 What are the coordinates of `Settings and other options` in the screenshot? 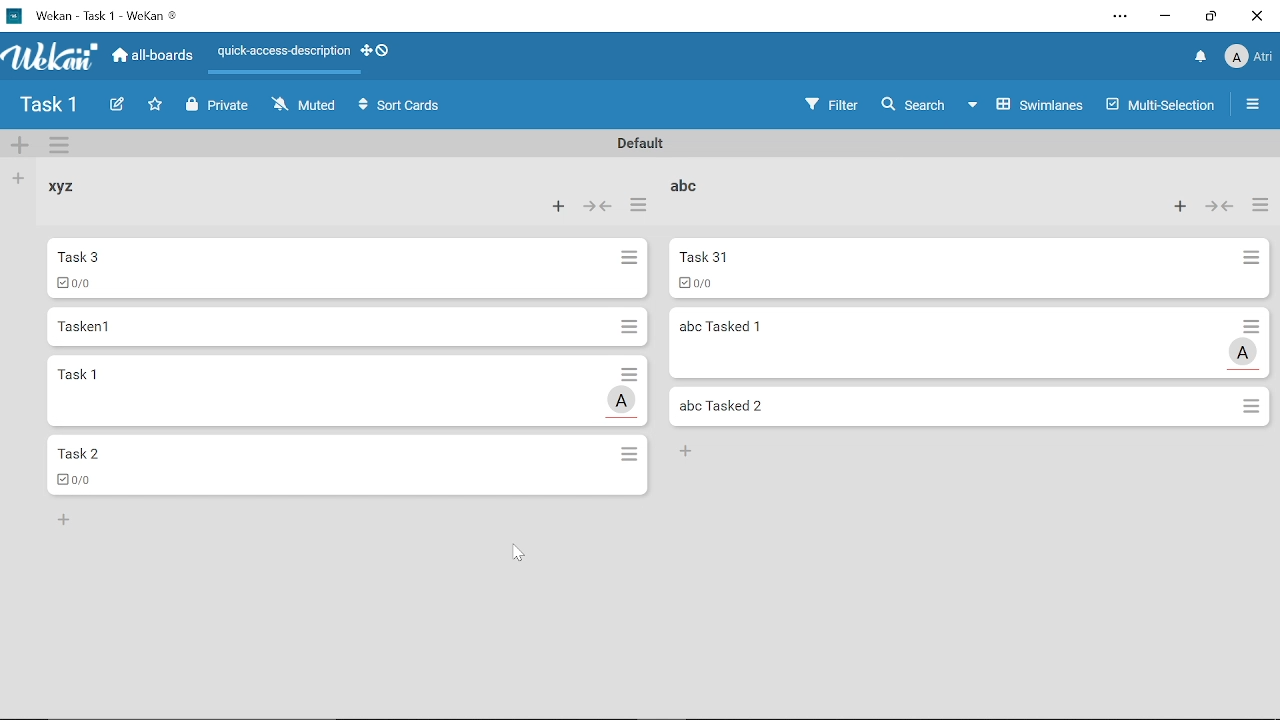 It's located at (1122, 18).